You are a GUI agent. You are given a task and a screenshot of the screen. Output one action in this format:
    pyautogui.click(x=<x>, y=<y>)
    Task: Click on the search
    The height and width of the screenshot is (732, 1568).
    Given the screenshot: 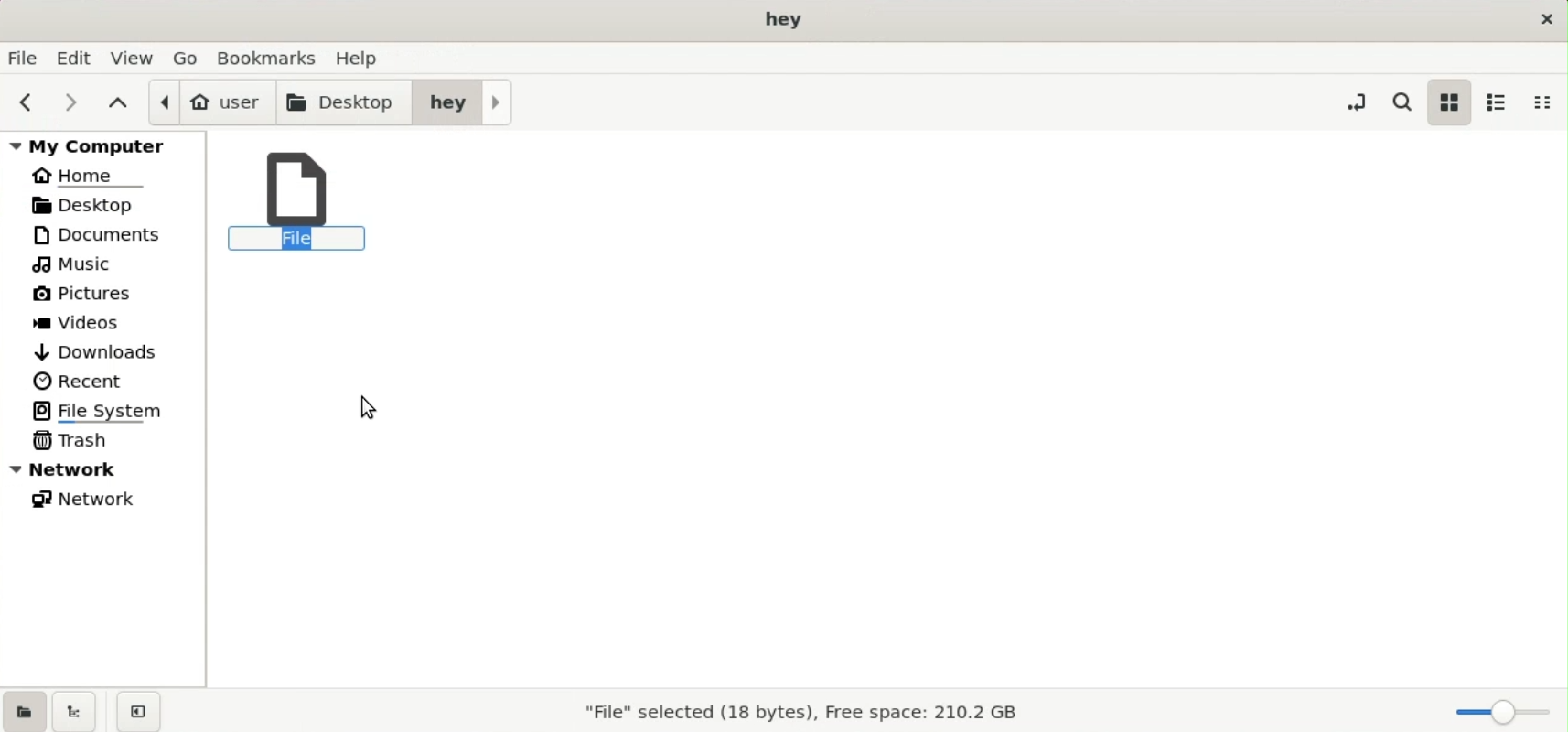 What is the action you would take?
    pyautogui.click(x=1406, y=102)
    